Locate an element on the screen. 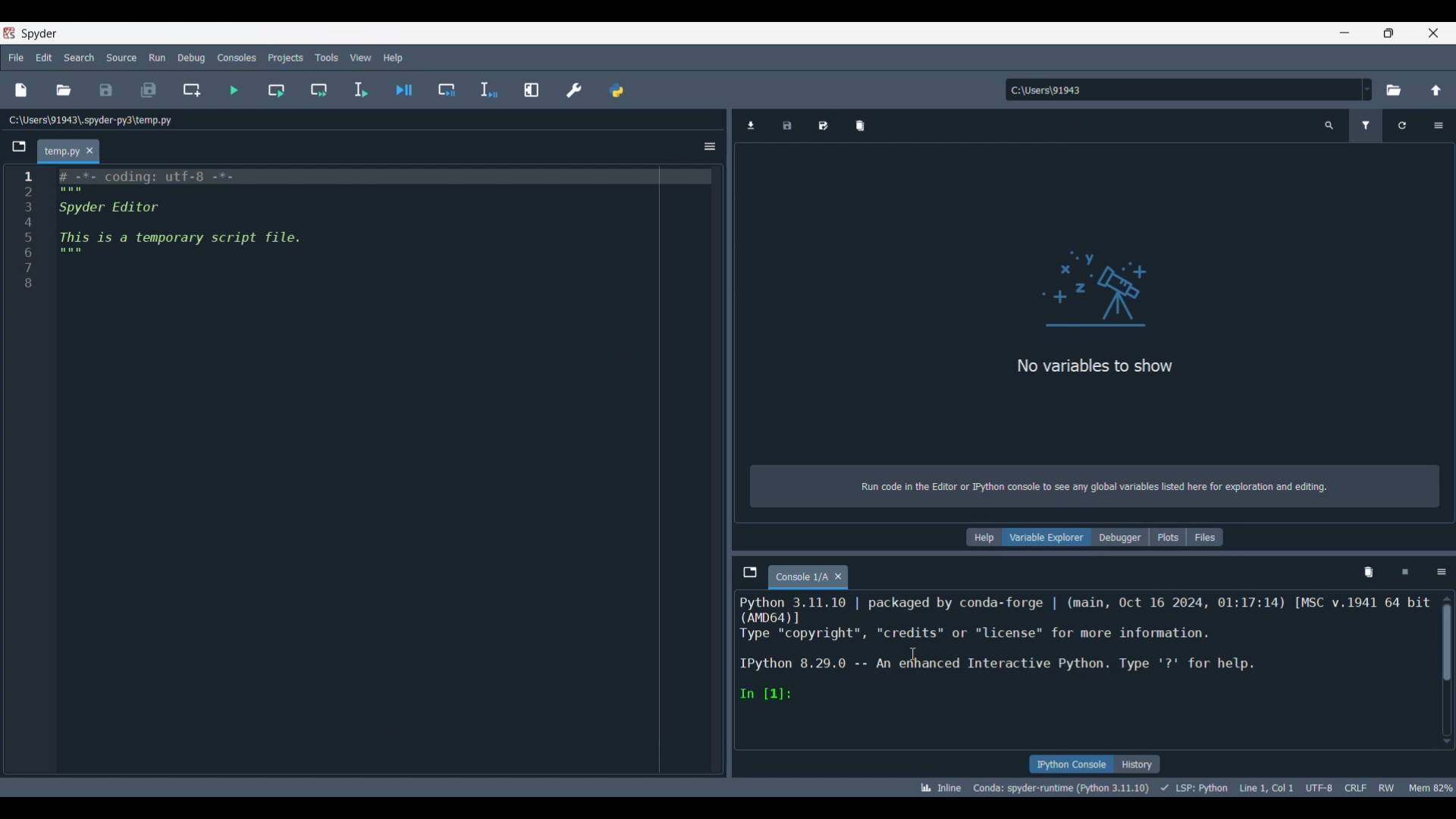 The height and width of the screenshot is (819, 1456). View menu is located at coordinates (362, 58).